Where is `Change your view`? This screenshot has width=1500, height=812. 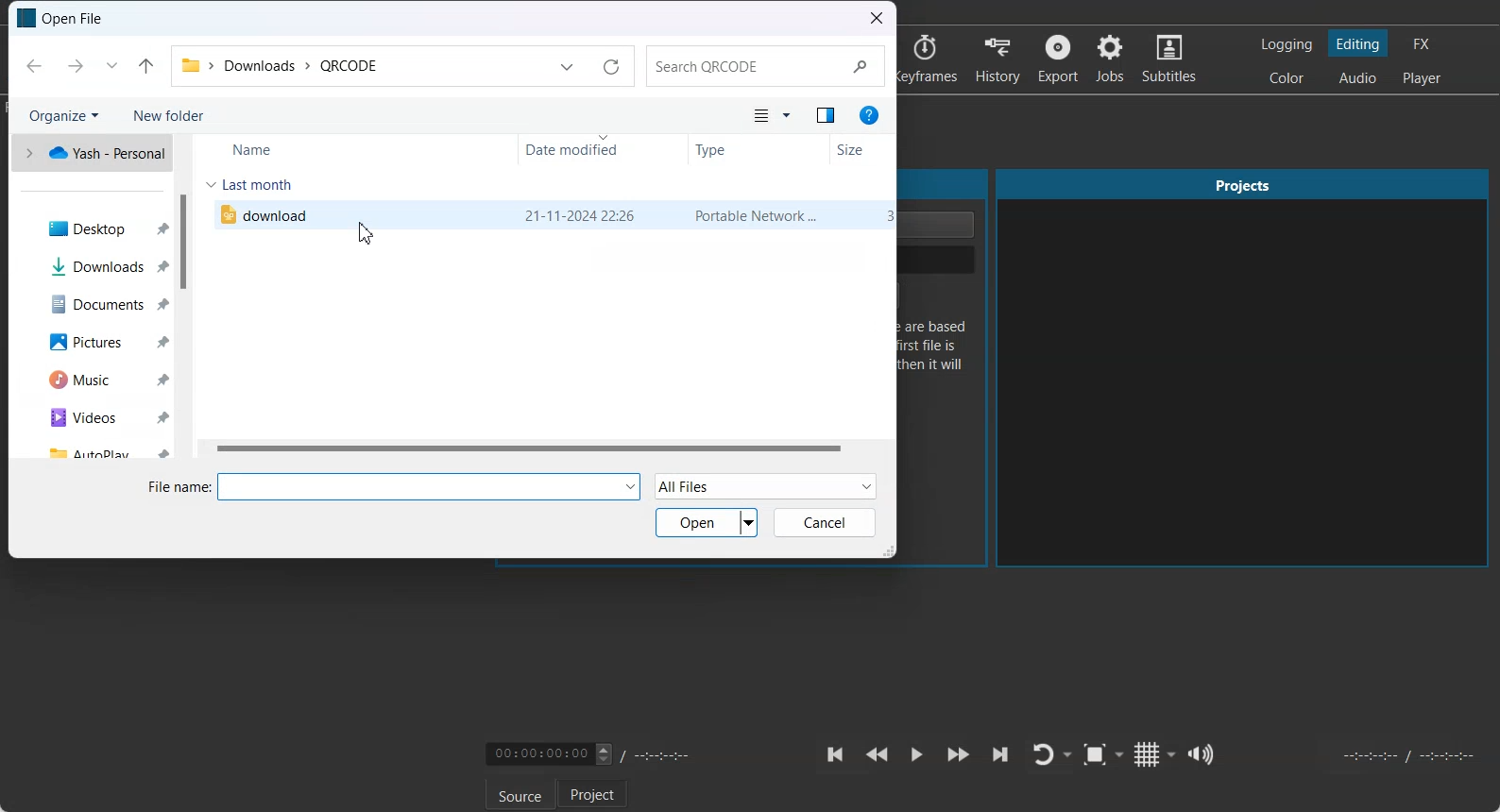 Change your view is located at coordinates (760, 115).